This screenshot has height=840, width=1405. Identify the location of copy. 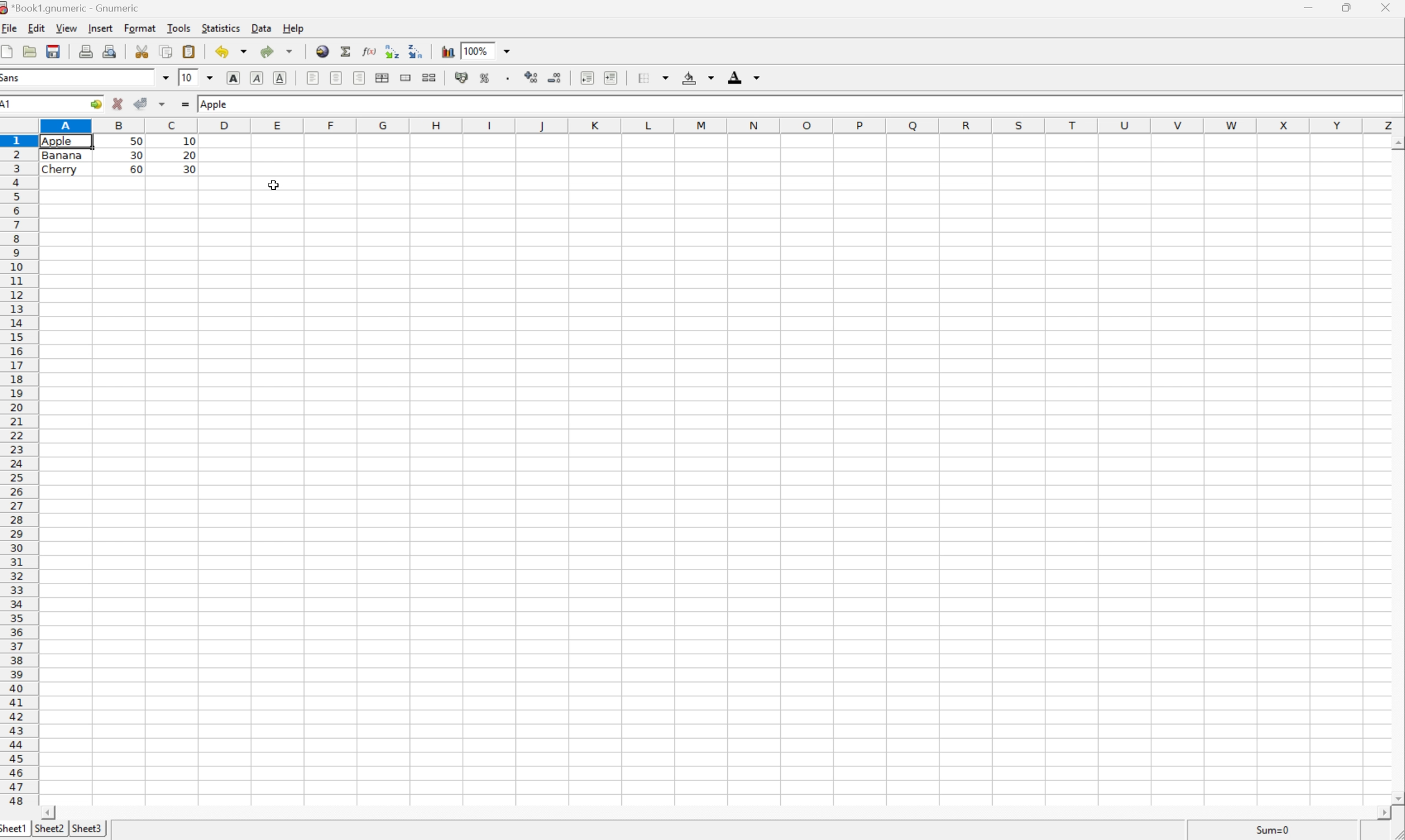
(166, 51).